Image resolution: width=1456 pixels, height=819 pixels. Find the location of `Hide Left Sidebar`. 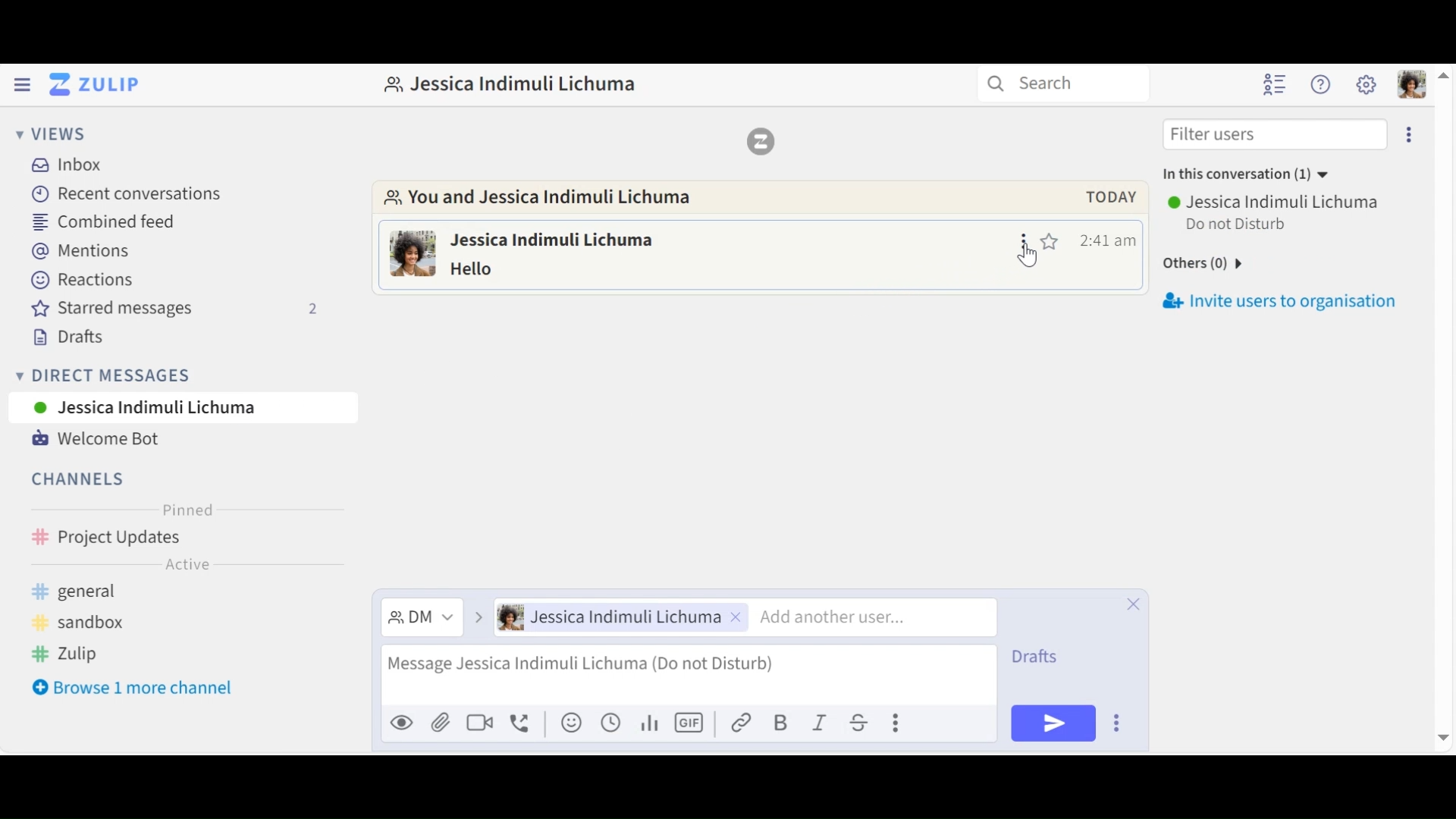

Hide Left Sidebar is located at coordinates (21, 83).